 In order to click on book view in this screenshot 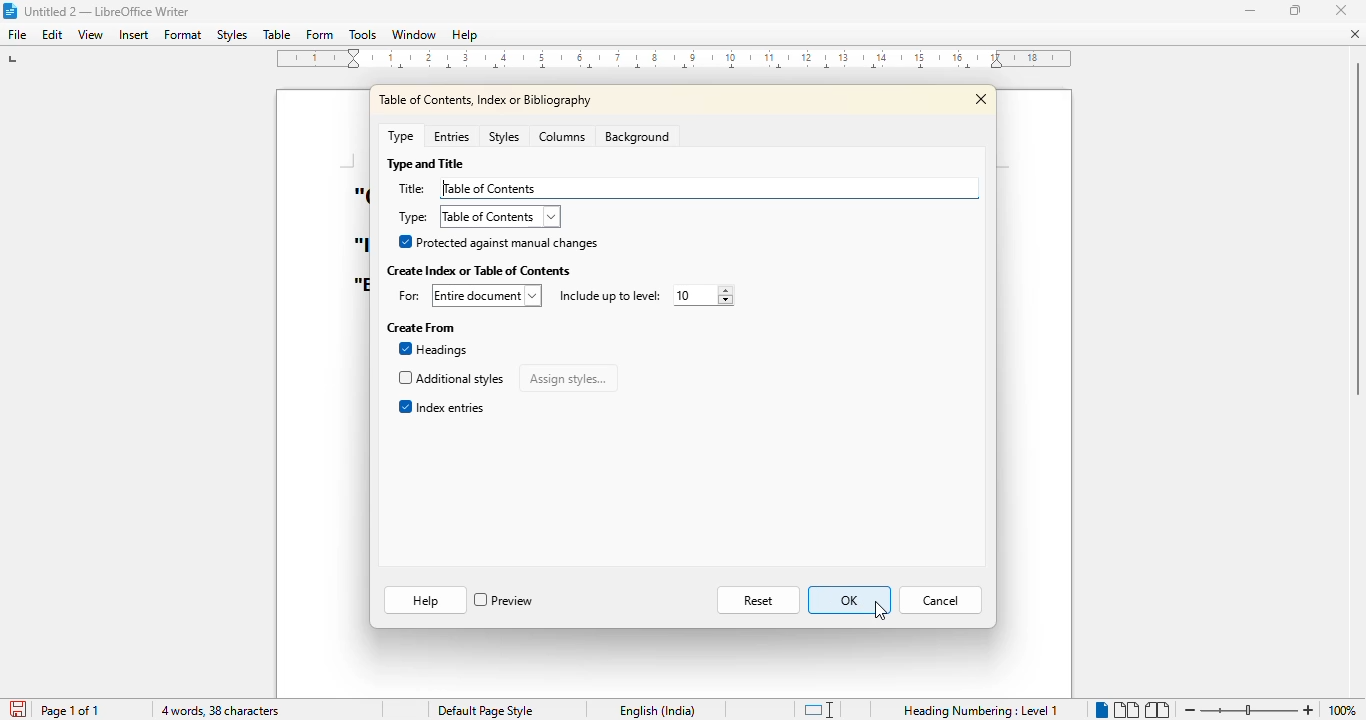, I will do `click(1157, 710)`.